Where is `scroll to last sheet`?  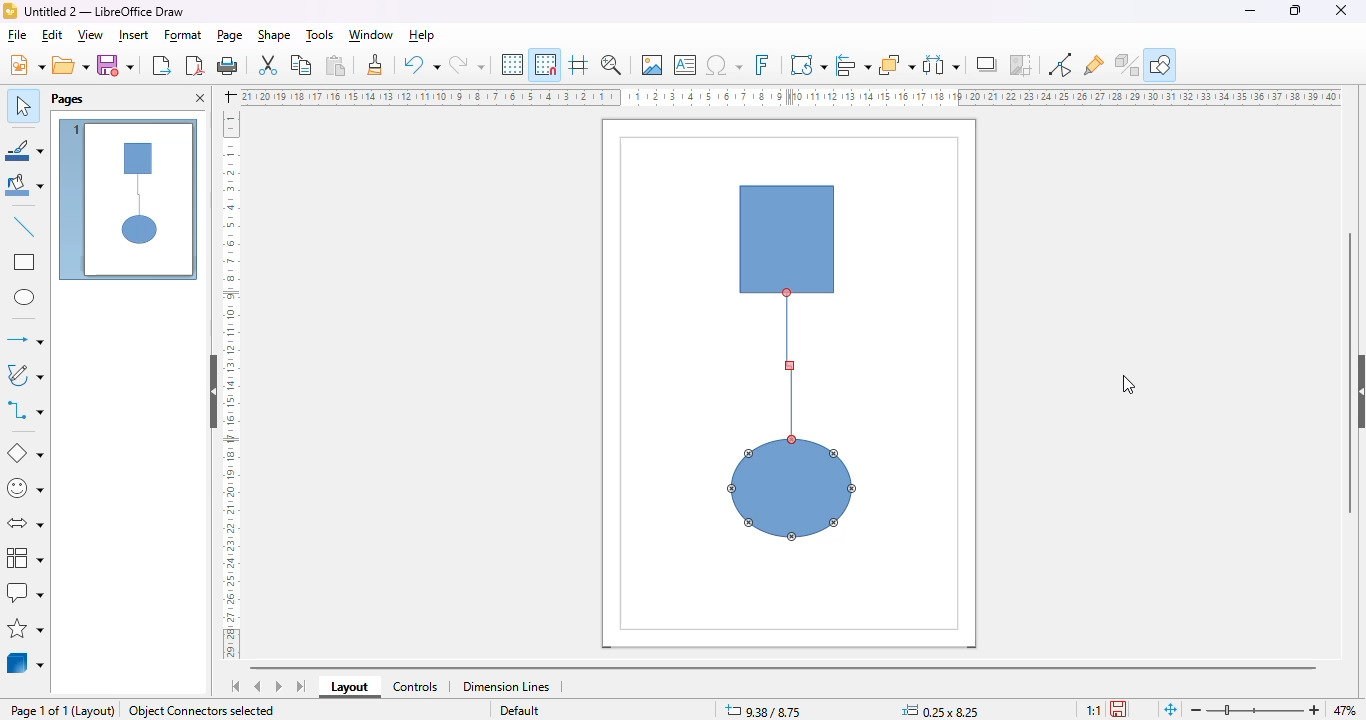 scroll to last sheet is located at coordinates (302, 687).